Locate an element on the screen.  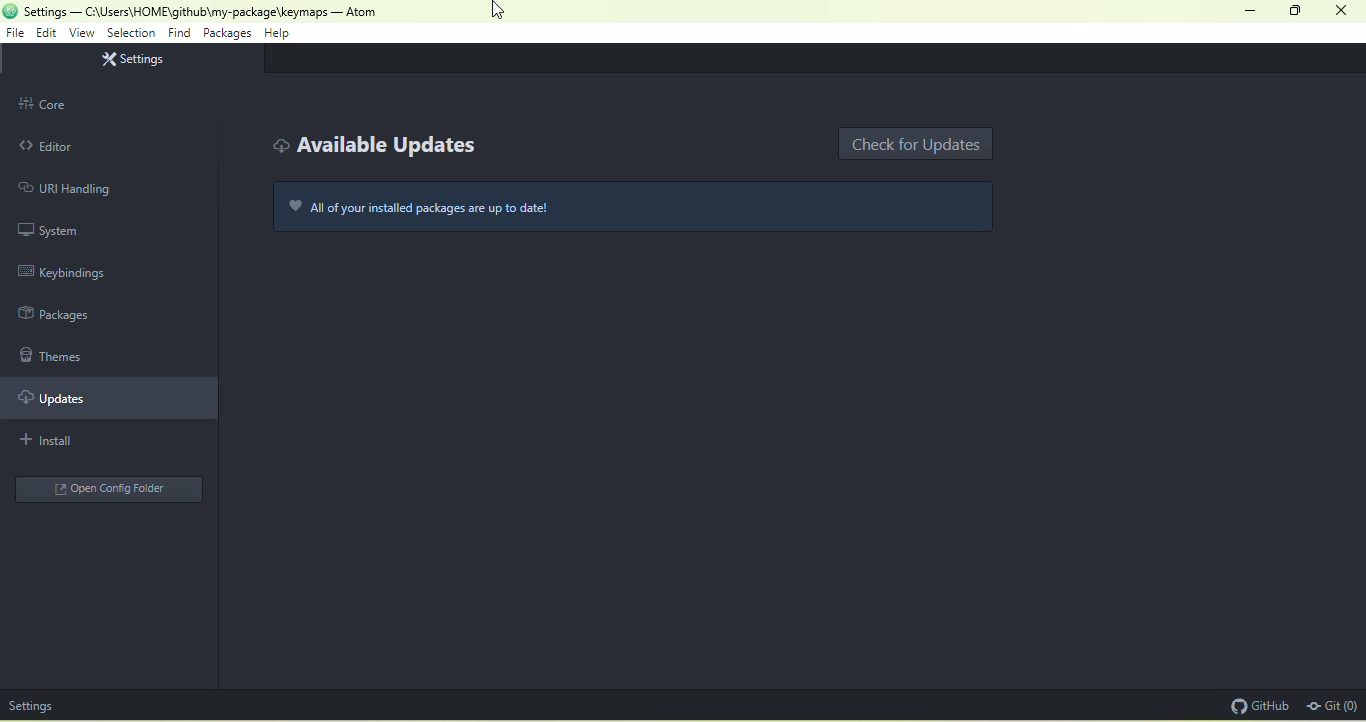
help is located at coordinates (280, 35).